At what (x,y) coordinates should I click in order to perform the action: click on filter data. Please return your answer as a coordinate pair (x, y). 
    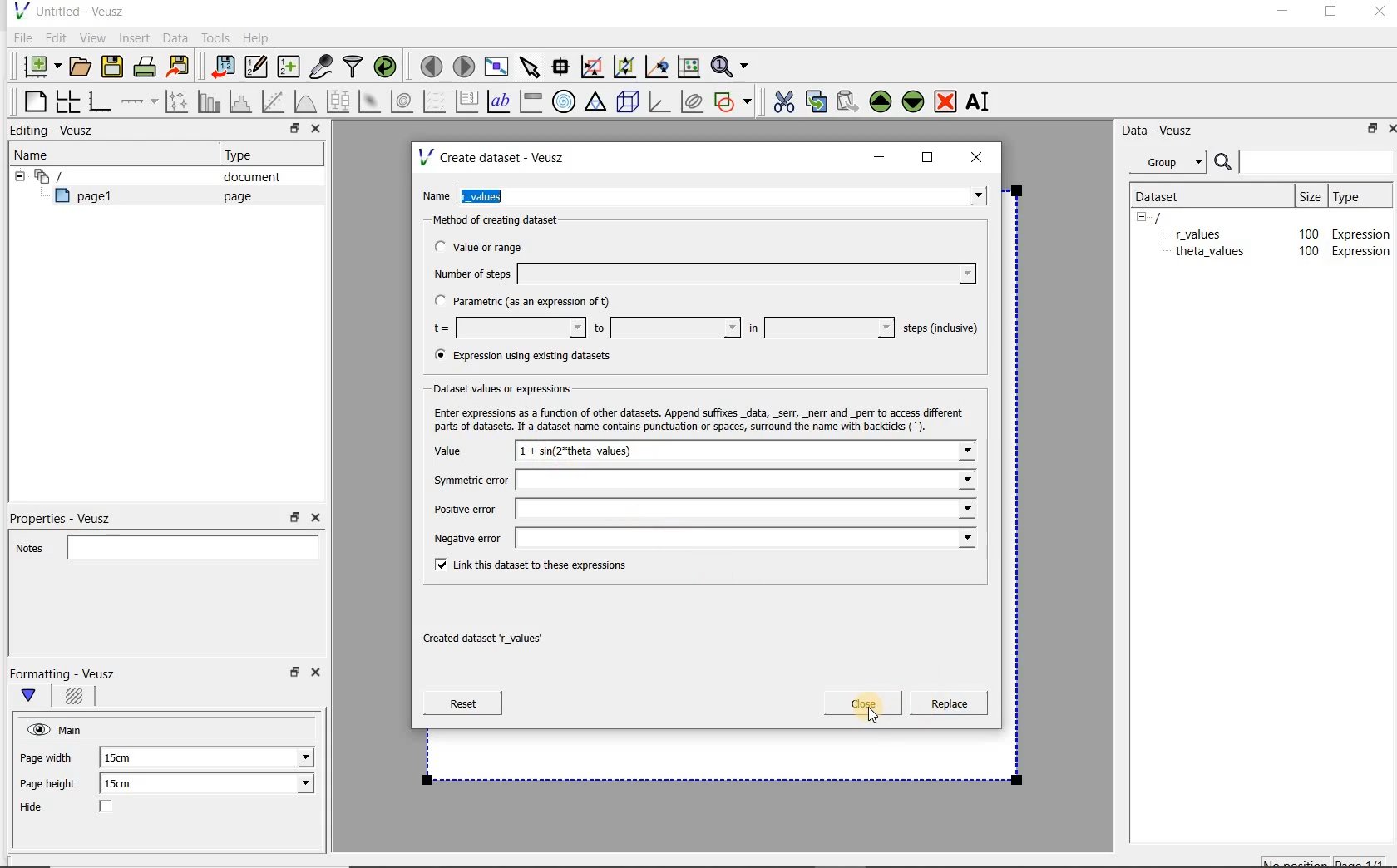
    Looking at the image, I should click on (353, 68).